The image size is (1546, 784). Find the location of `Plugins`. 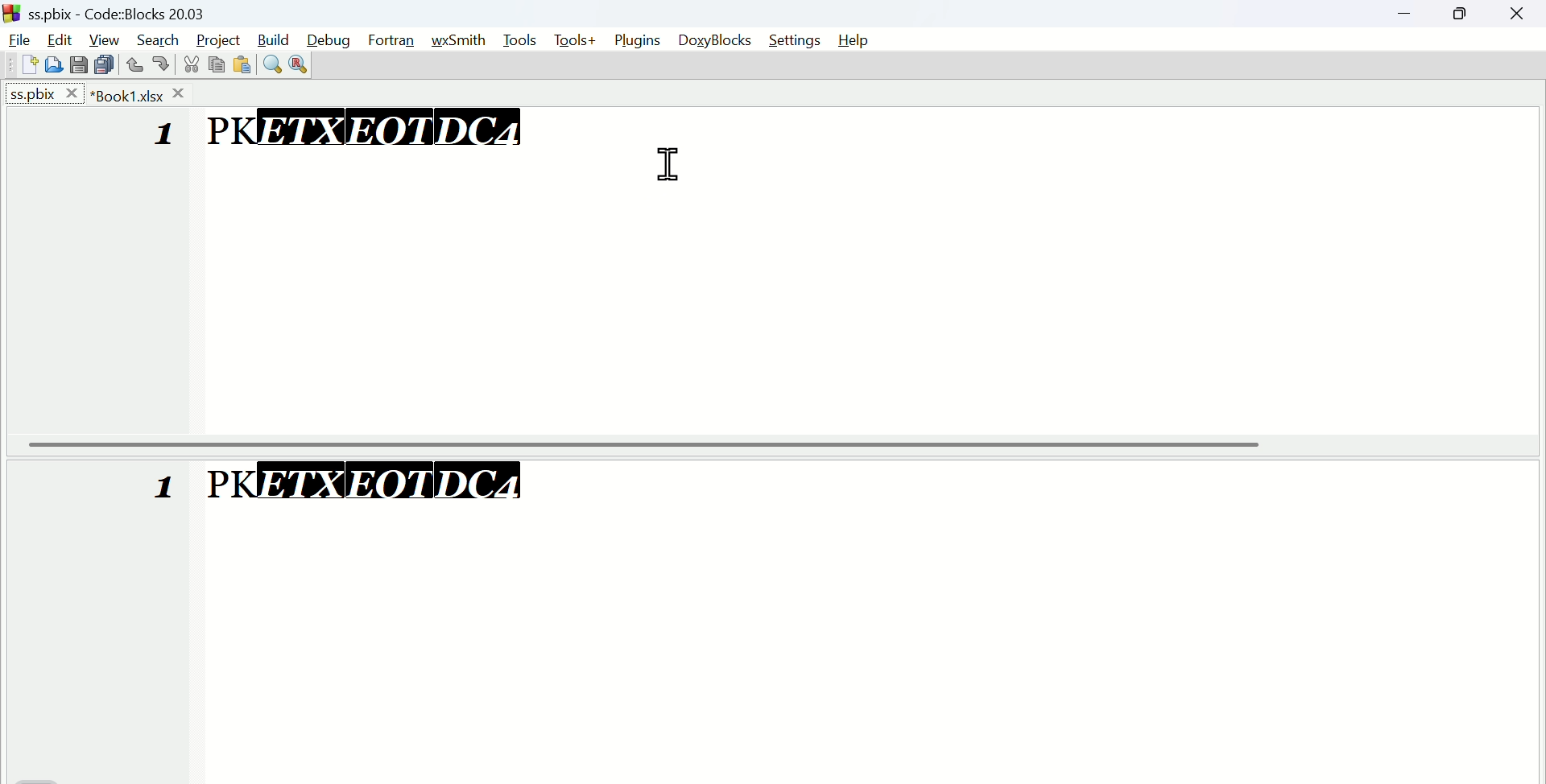

Plugins is located at coordinates (637, 41).